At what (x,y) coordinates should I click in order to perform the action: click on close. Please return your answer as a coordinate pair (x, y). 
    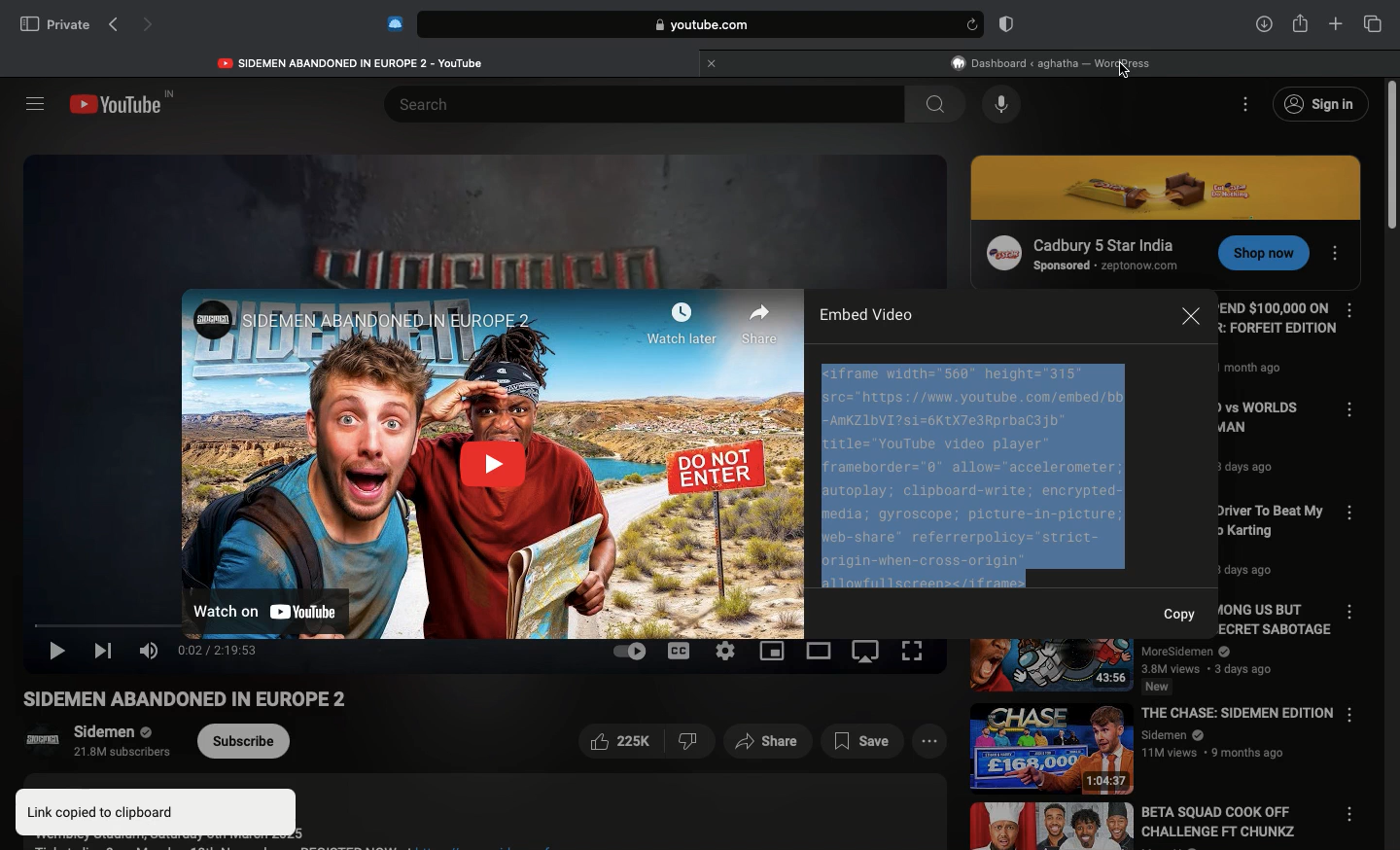
    Looking at the image, I should click on (709, 62).